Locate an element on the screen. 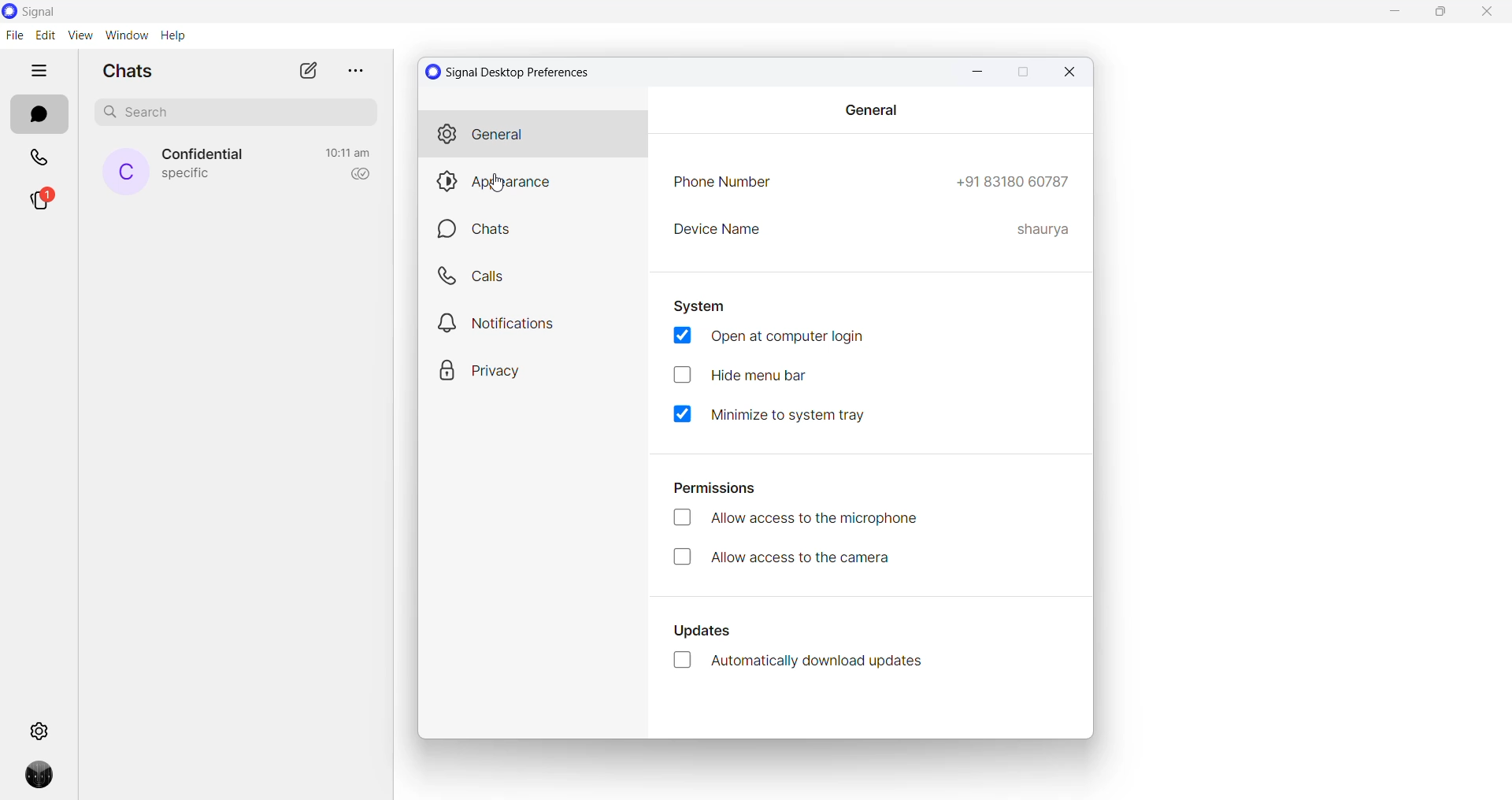 This screenshot has height=800, width=1512. phone number is located at coordinates (725, 184).